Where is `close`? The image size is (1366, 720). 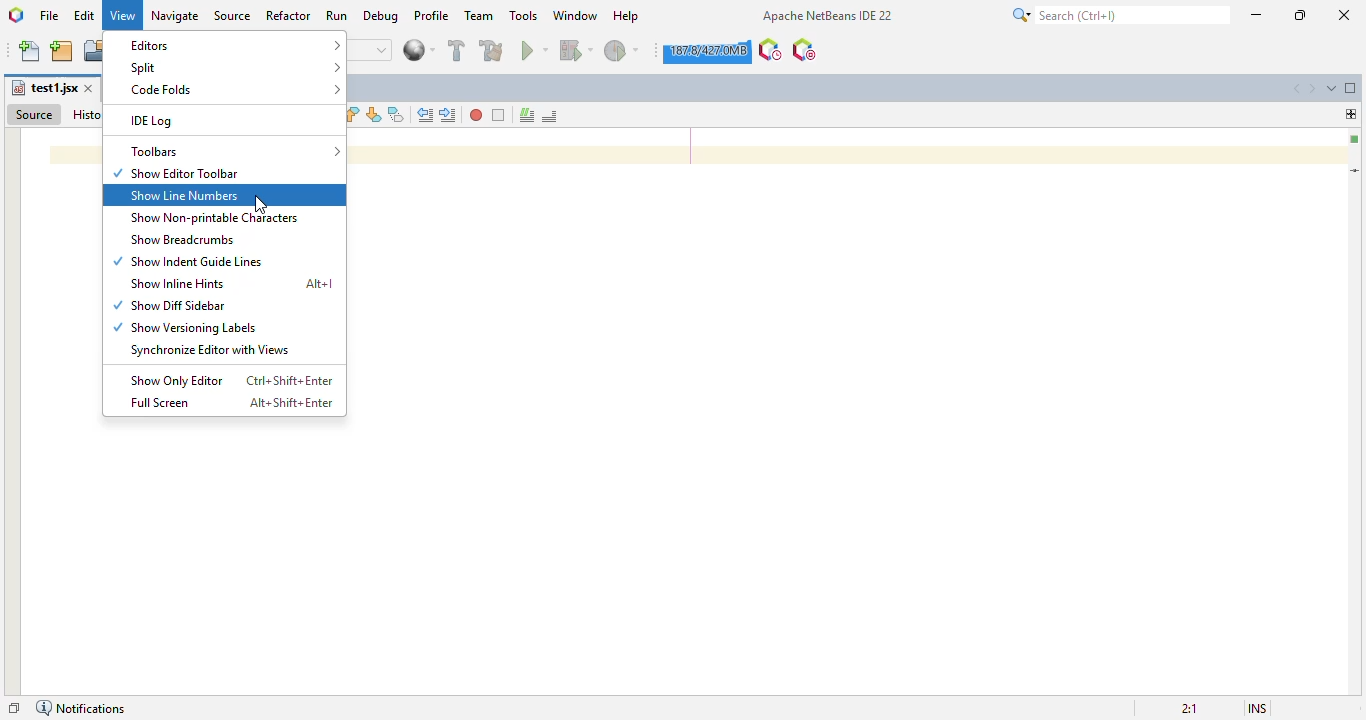
close is located at coordinates (89, 88).